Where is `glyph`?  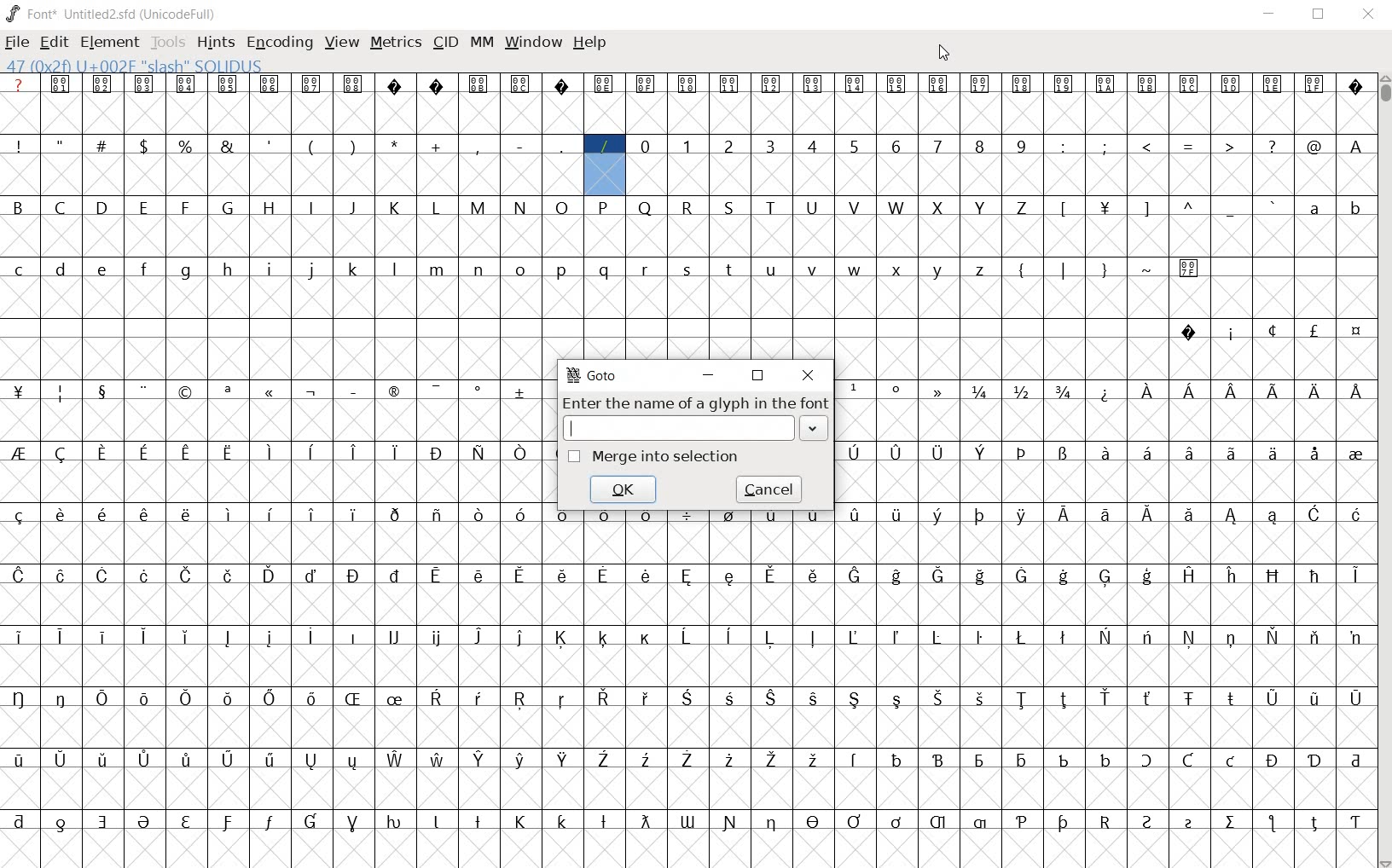
glyph is located at coordinates (1105, 209).